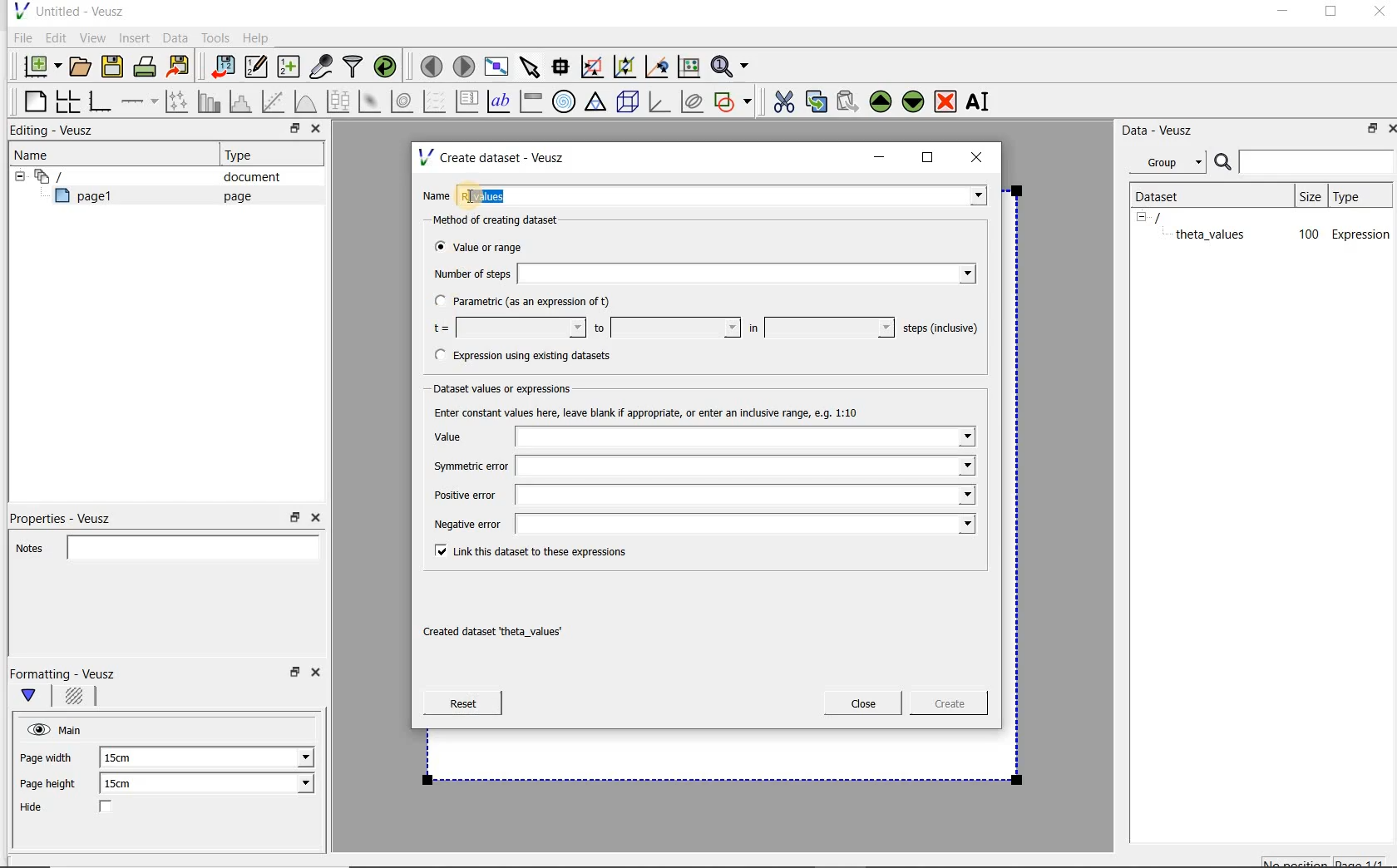 Image resolution: width=1397 pixels, height=868 pixels. What do you see at coordinates (530, 302) in the screenshot?
I see `Parametric (as an expression of t)` at bounding box center [530, 302].